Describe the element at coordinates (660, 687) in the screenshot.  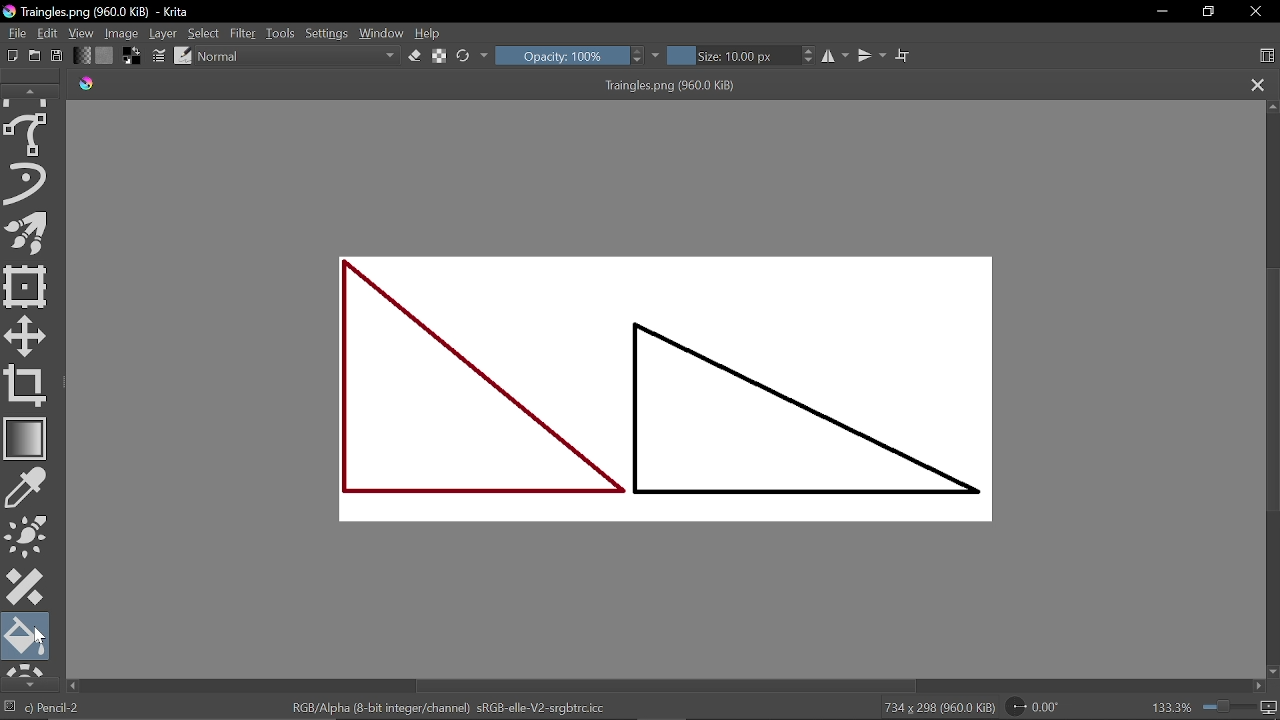
I see `Horizontal scrollbar` at that location.